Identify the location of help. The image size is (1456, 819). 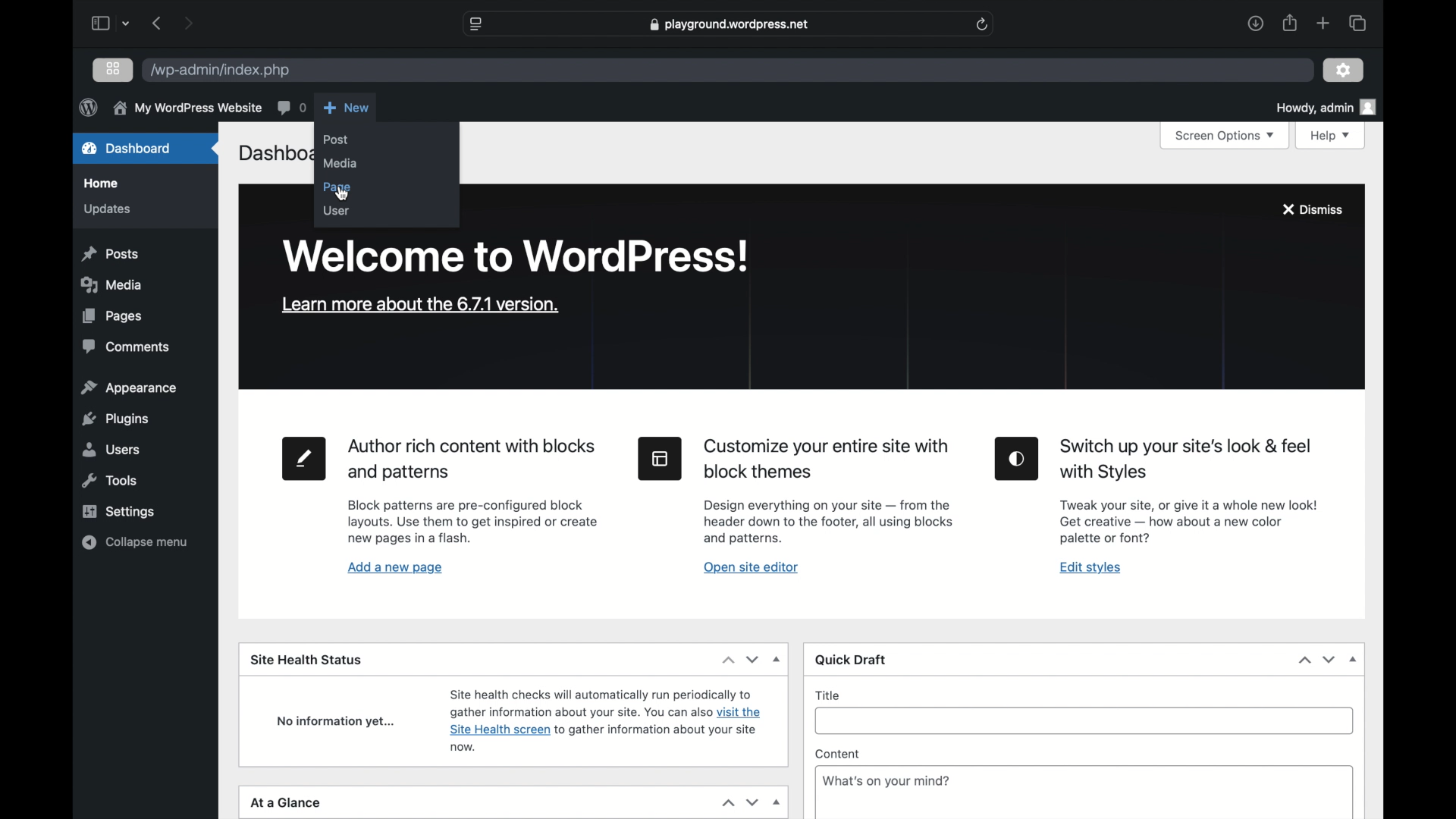
(1330, 136).